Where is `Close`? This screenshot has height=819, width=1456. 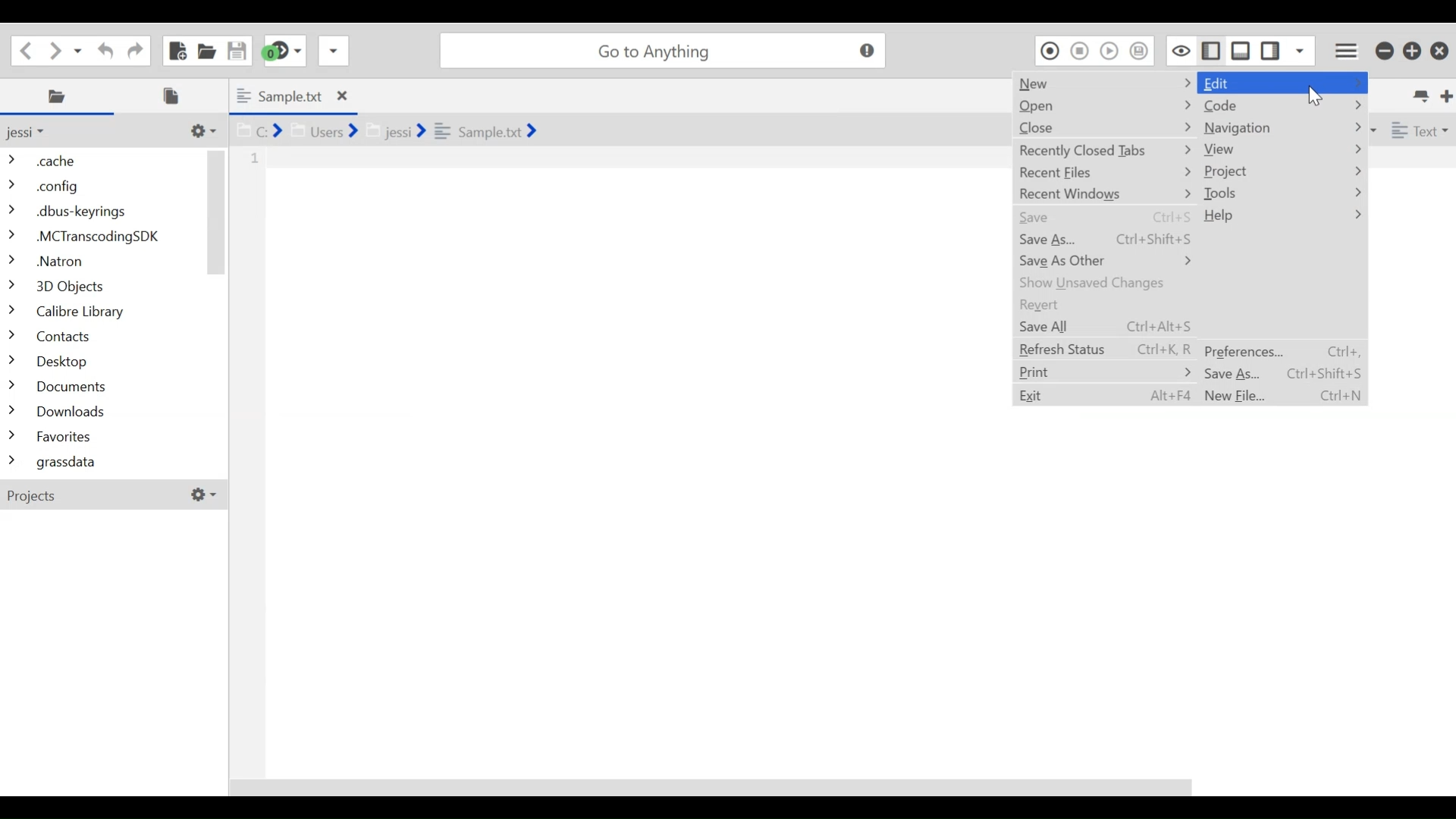
Close is located at coordinates (1439, 52).